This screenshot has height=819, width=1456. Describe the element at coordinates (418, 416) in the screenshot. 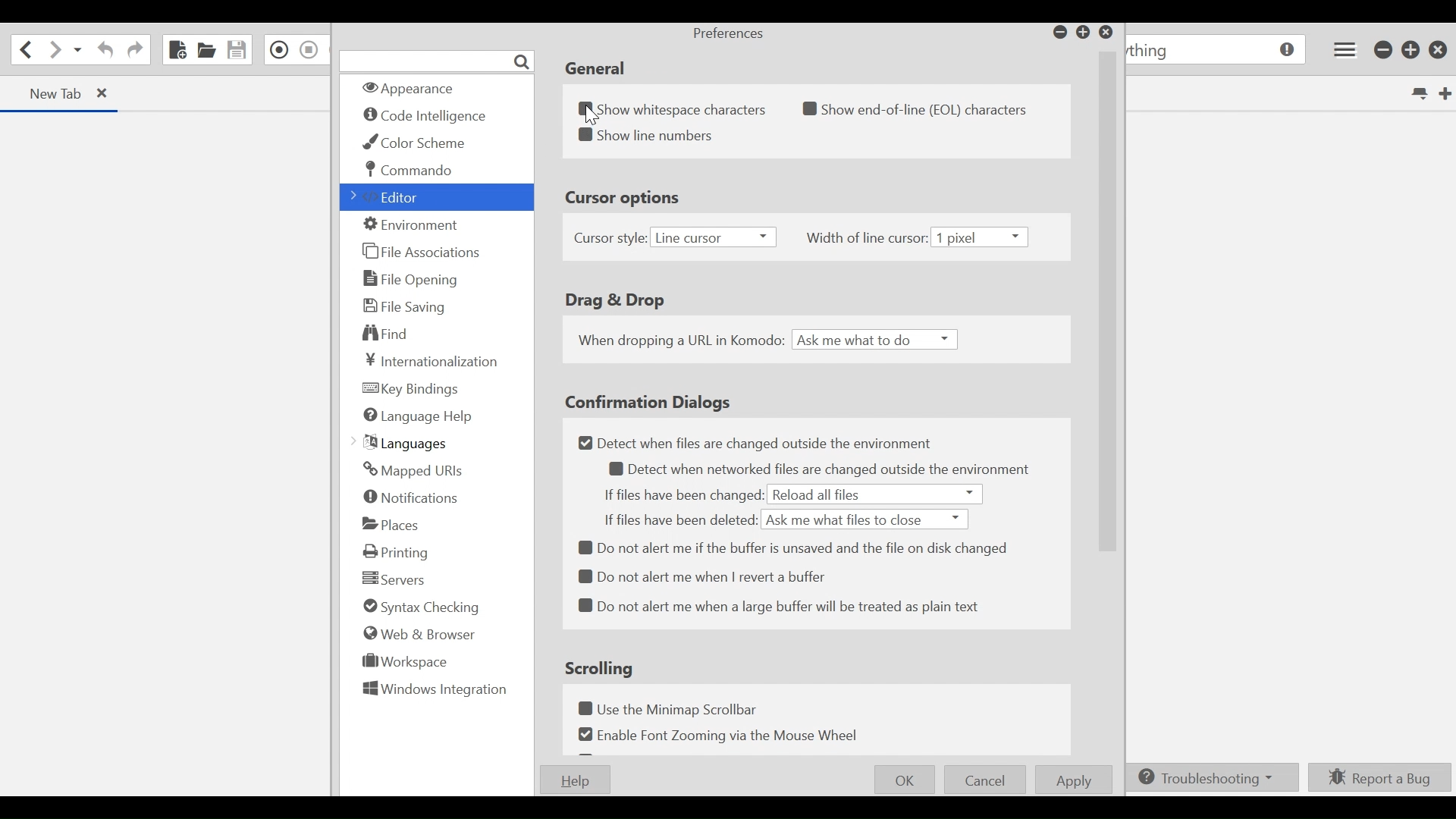

I see `Language Help` at that location.